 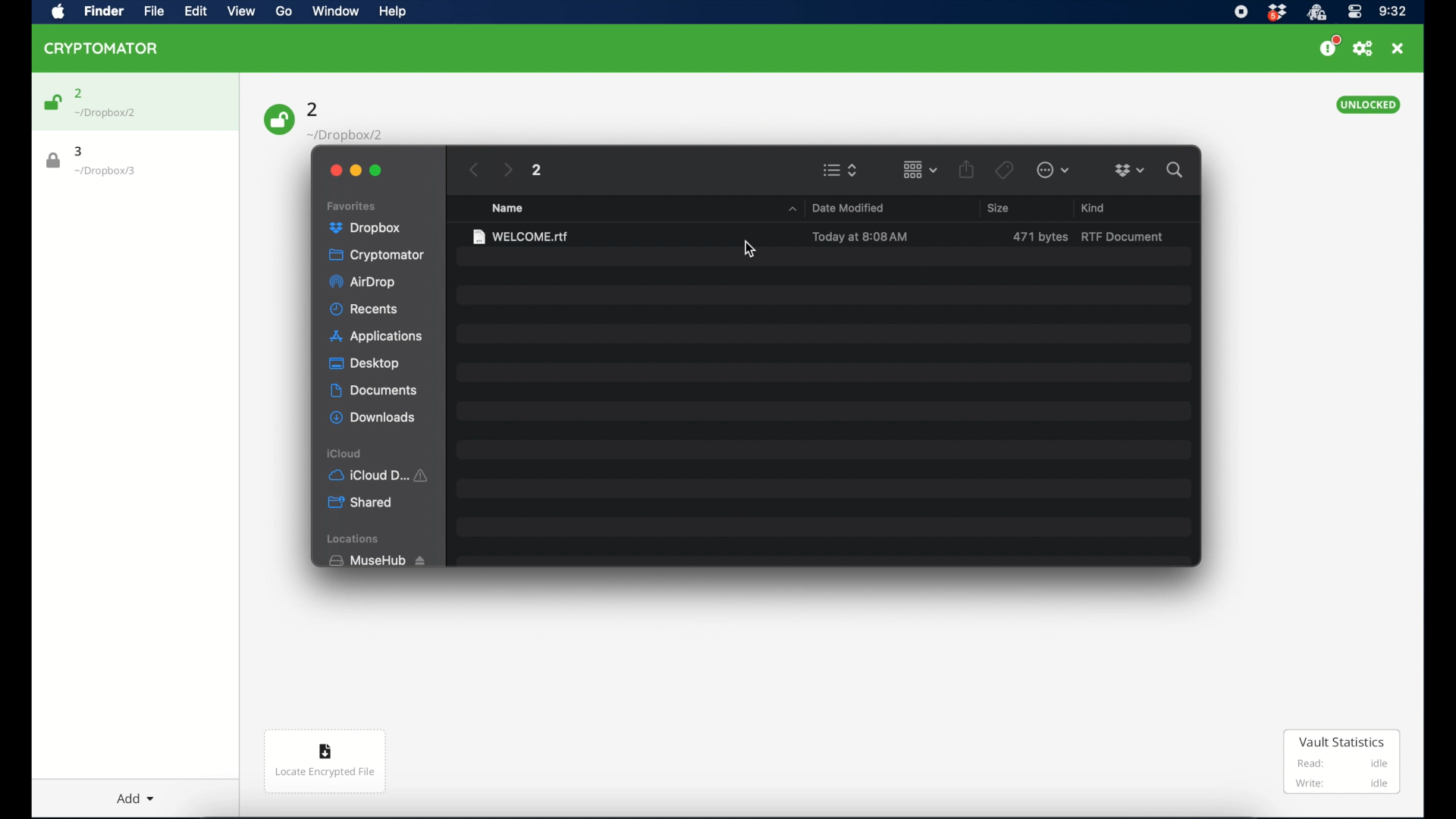 I want to click on minimize, so click(x=355, y=171).